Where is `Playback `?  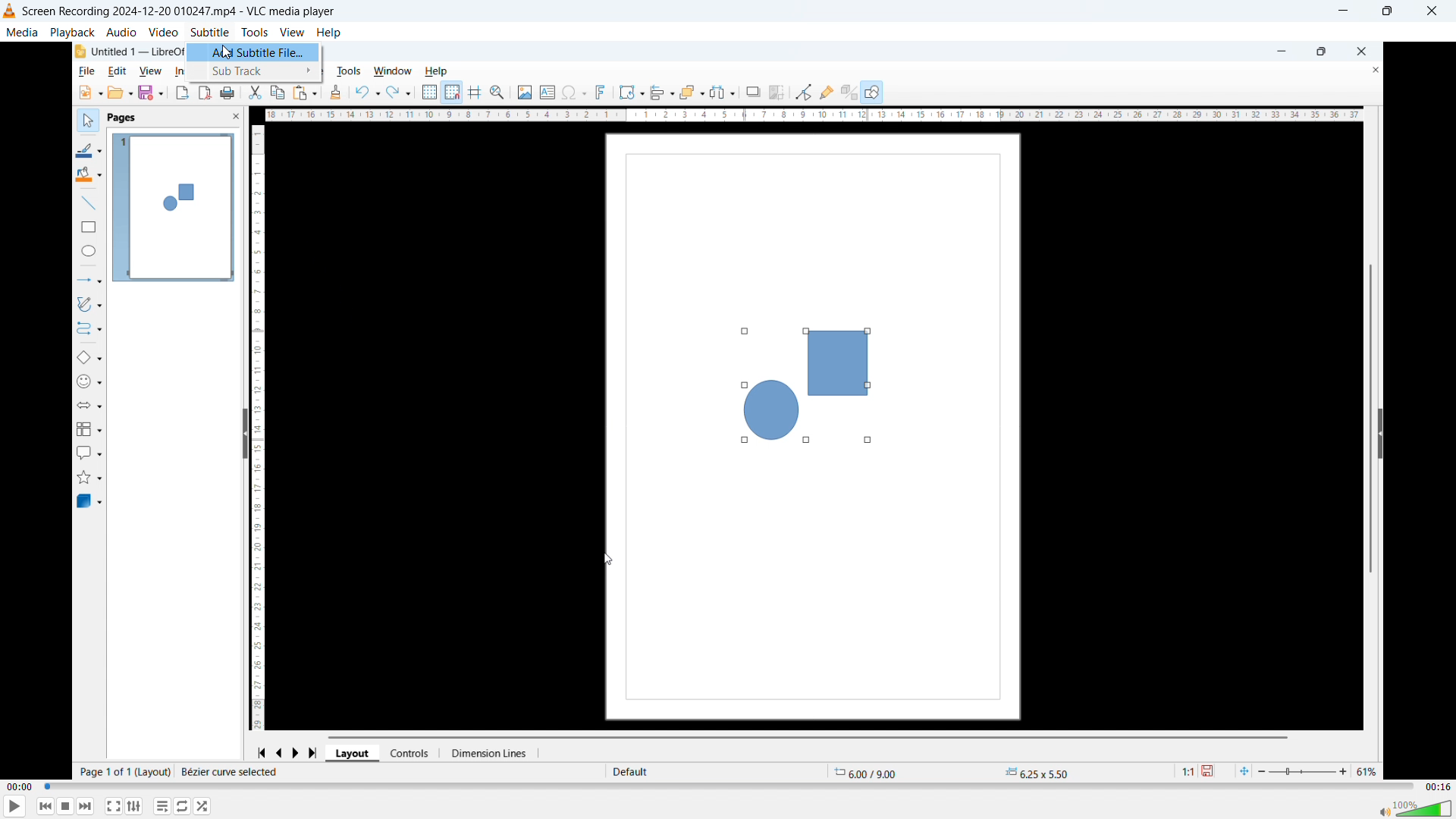
Playback  is located at coordinates (72, 31).